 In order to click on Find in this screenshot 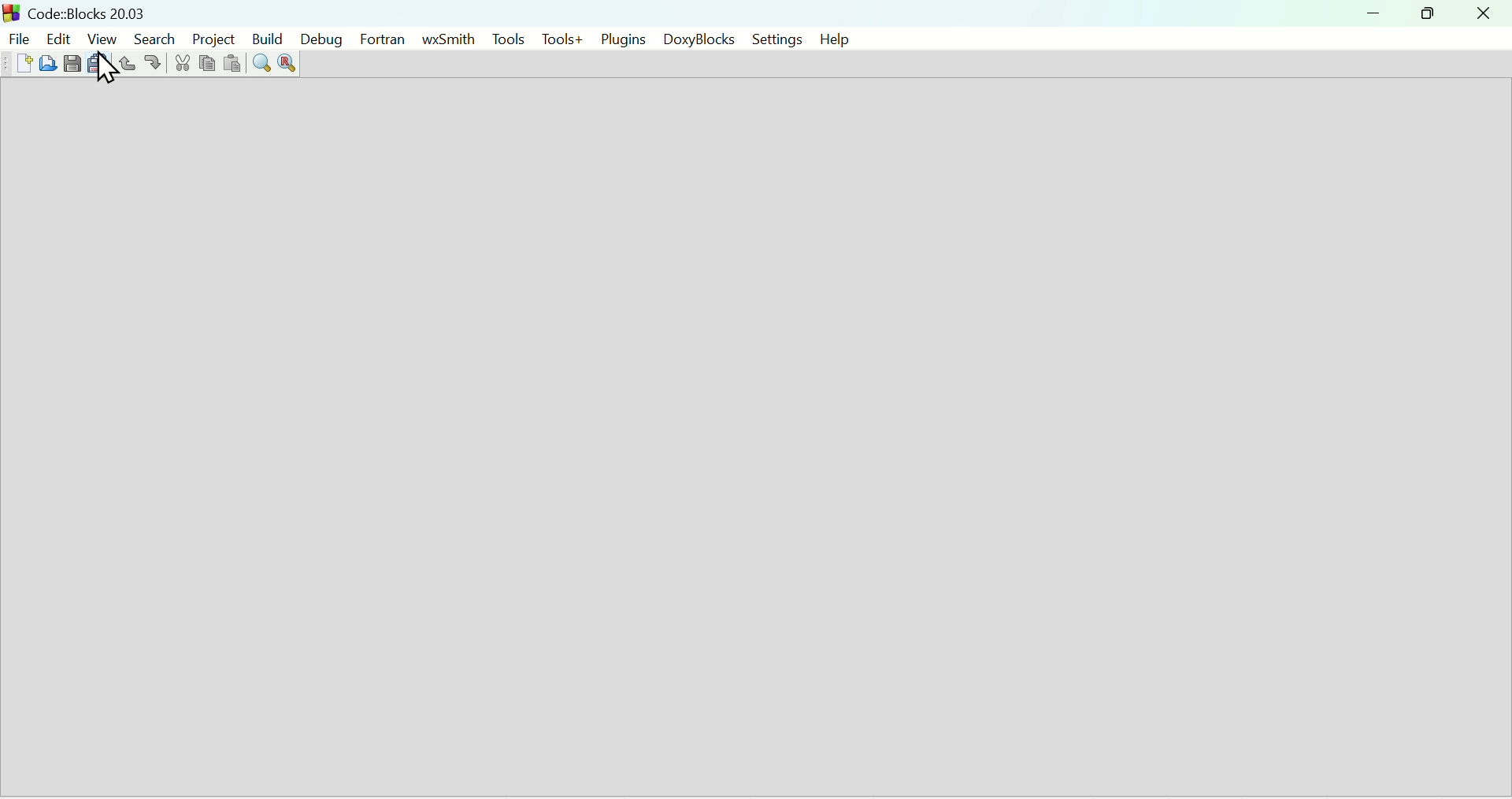, I will do `click(261, 64)`.